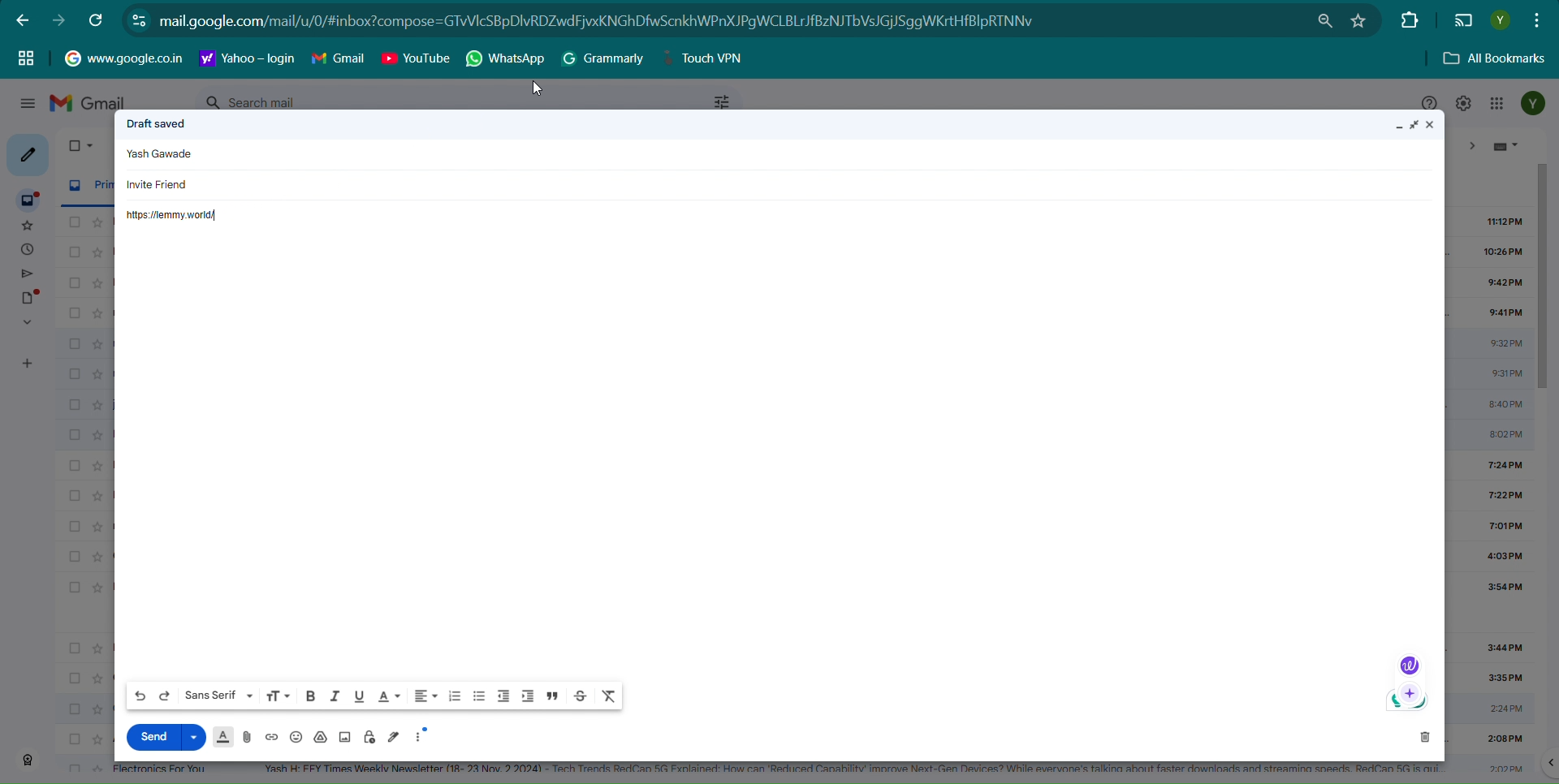 The image size is (1559, 784). Describe the element at coordinates (310, 695) in the screenshot. I see `Bold` at that location.